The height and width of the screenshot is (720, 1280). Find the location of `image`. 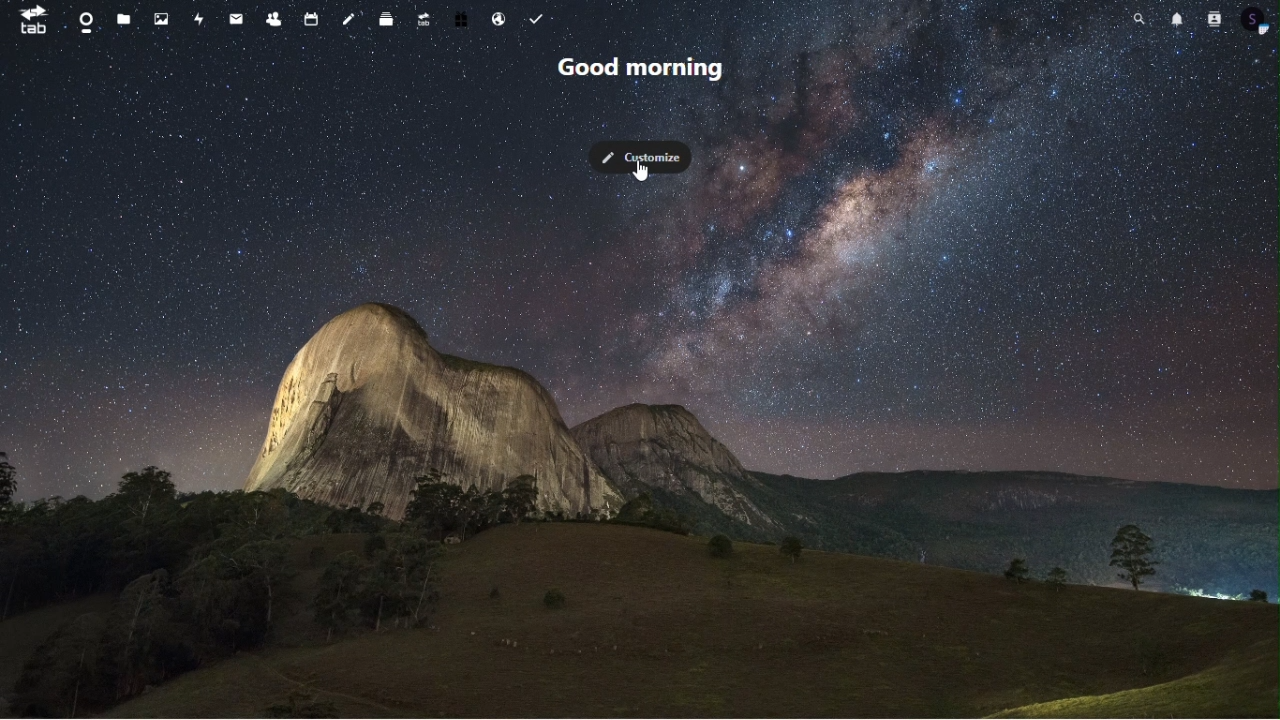

image is located at coordinates (166, 20).